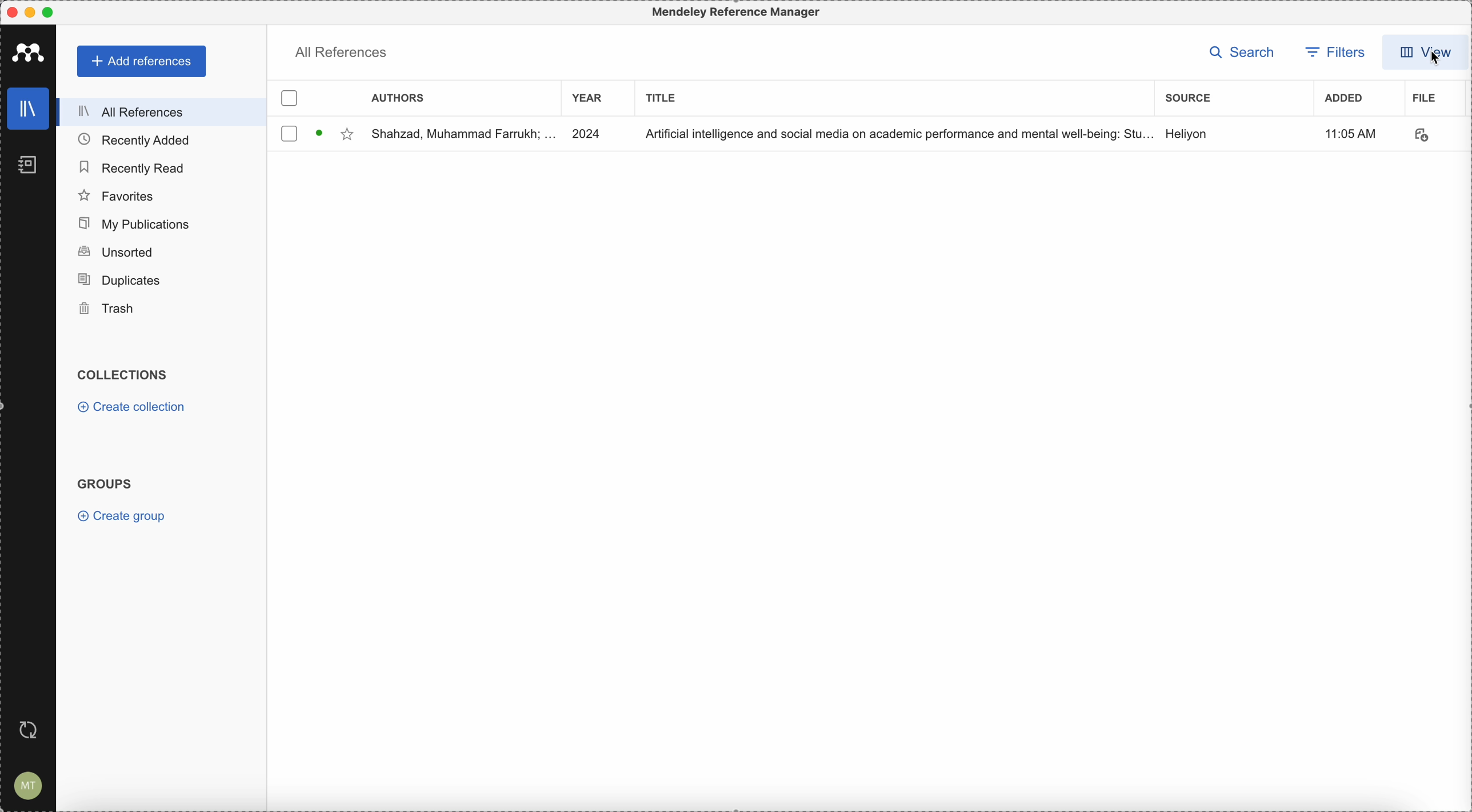  Describe the element at coordinates (347, 135) in the screenshot. I see `favorite` at that location.